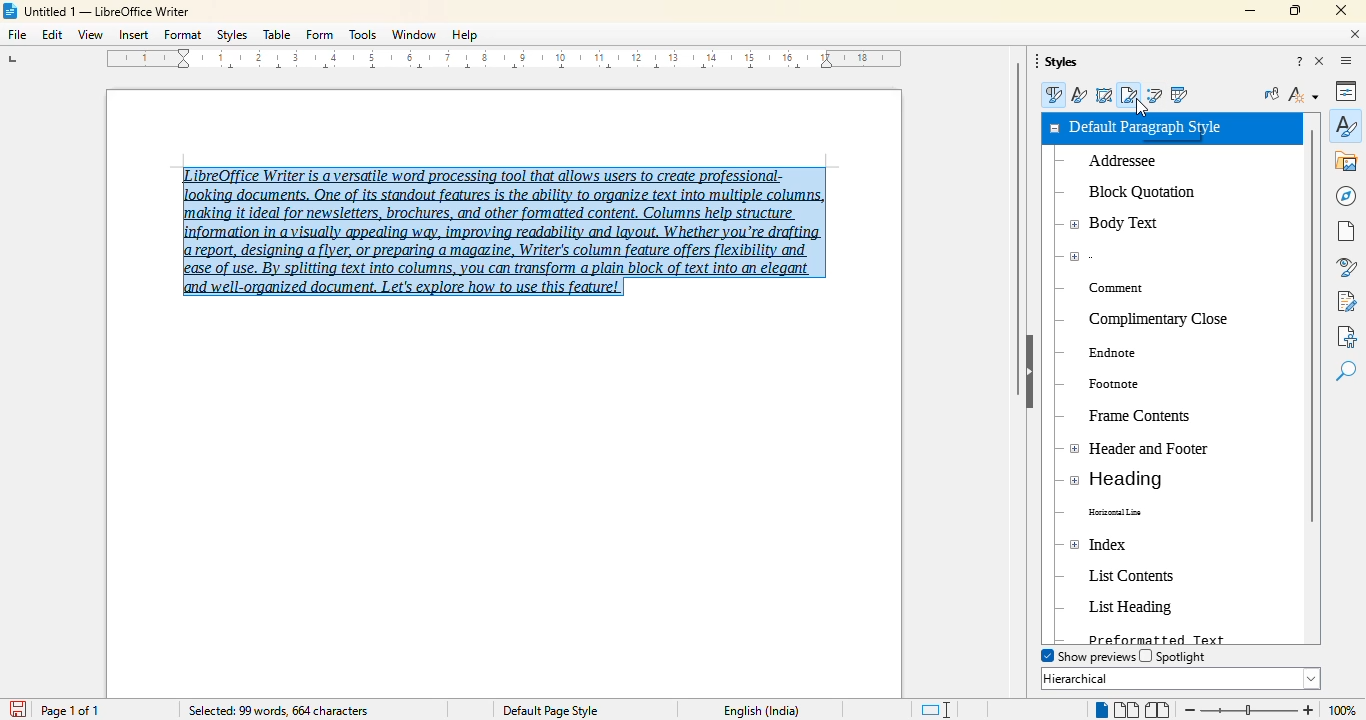 The height and width of the screenshot is (720, 1366). Describe the element at coordinates (183, 34) in the screenshot. I see `format` at that location.